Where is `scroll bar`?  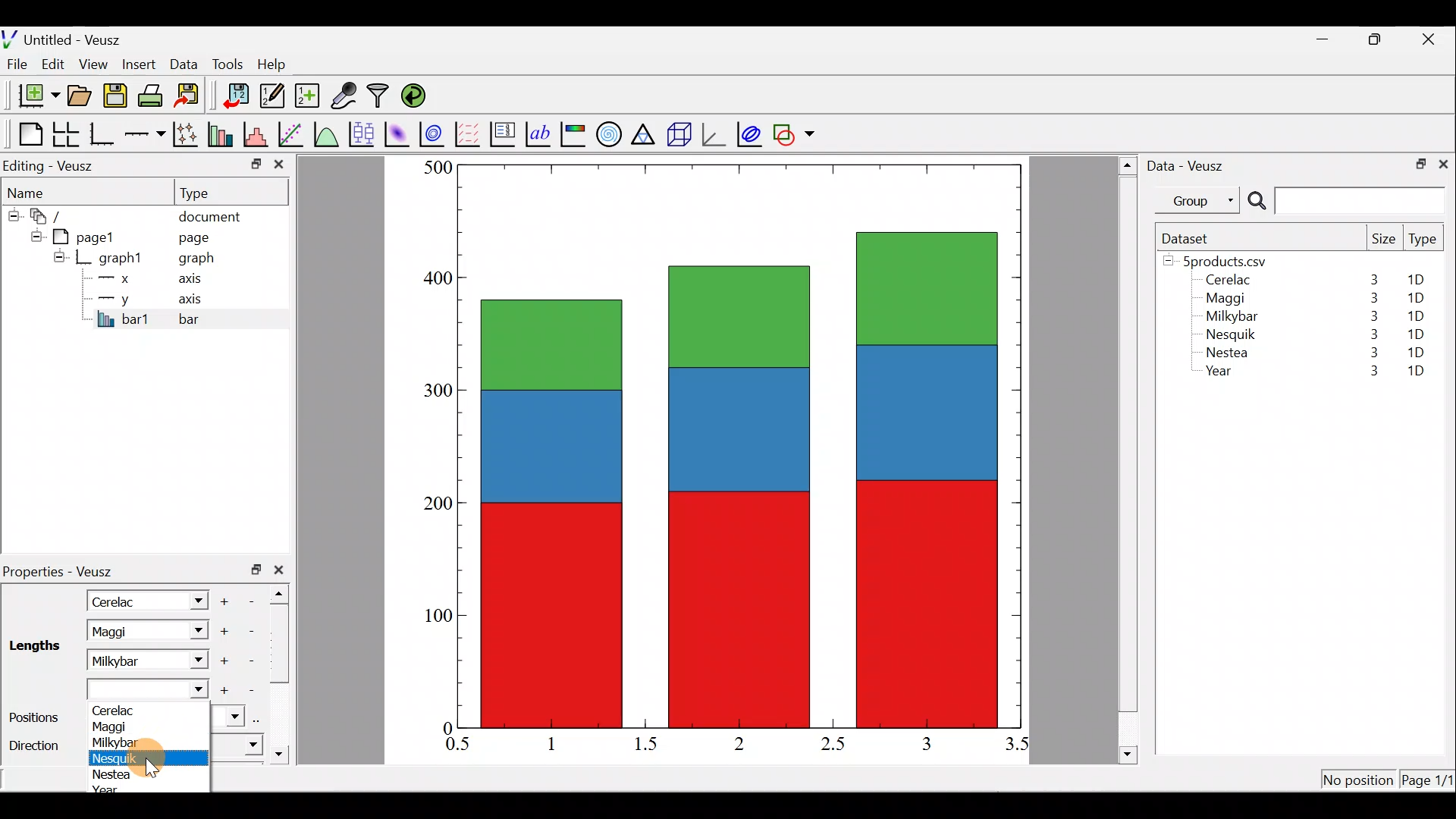
scroll bar is located at coordinates (1128, 457).